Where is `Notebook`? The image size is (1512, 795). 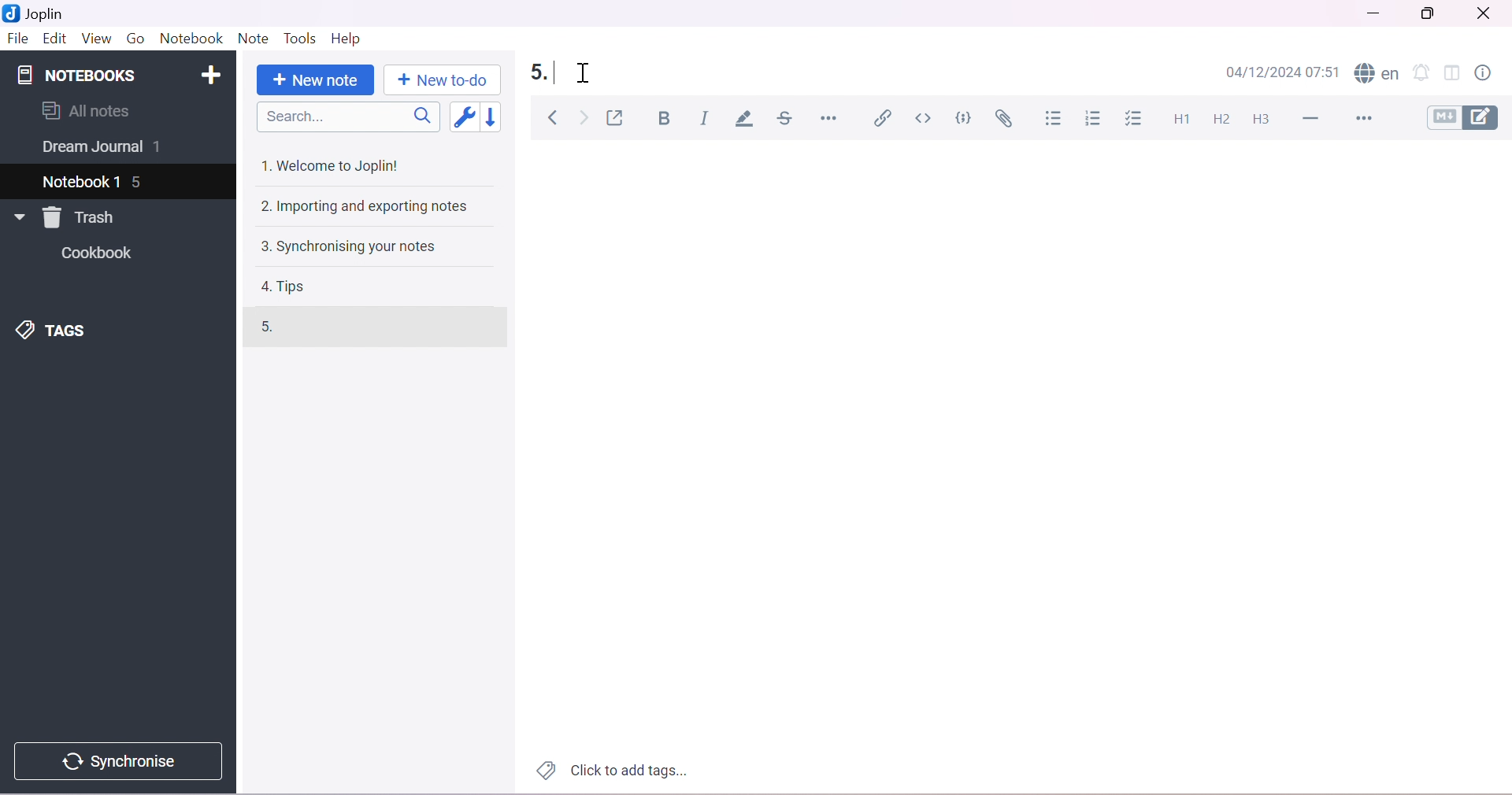 Notebook is located at coordinates (193, 39).